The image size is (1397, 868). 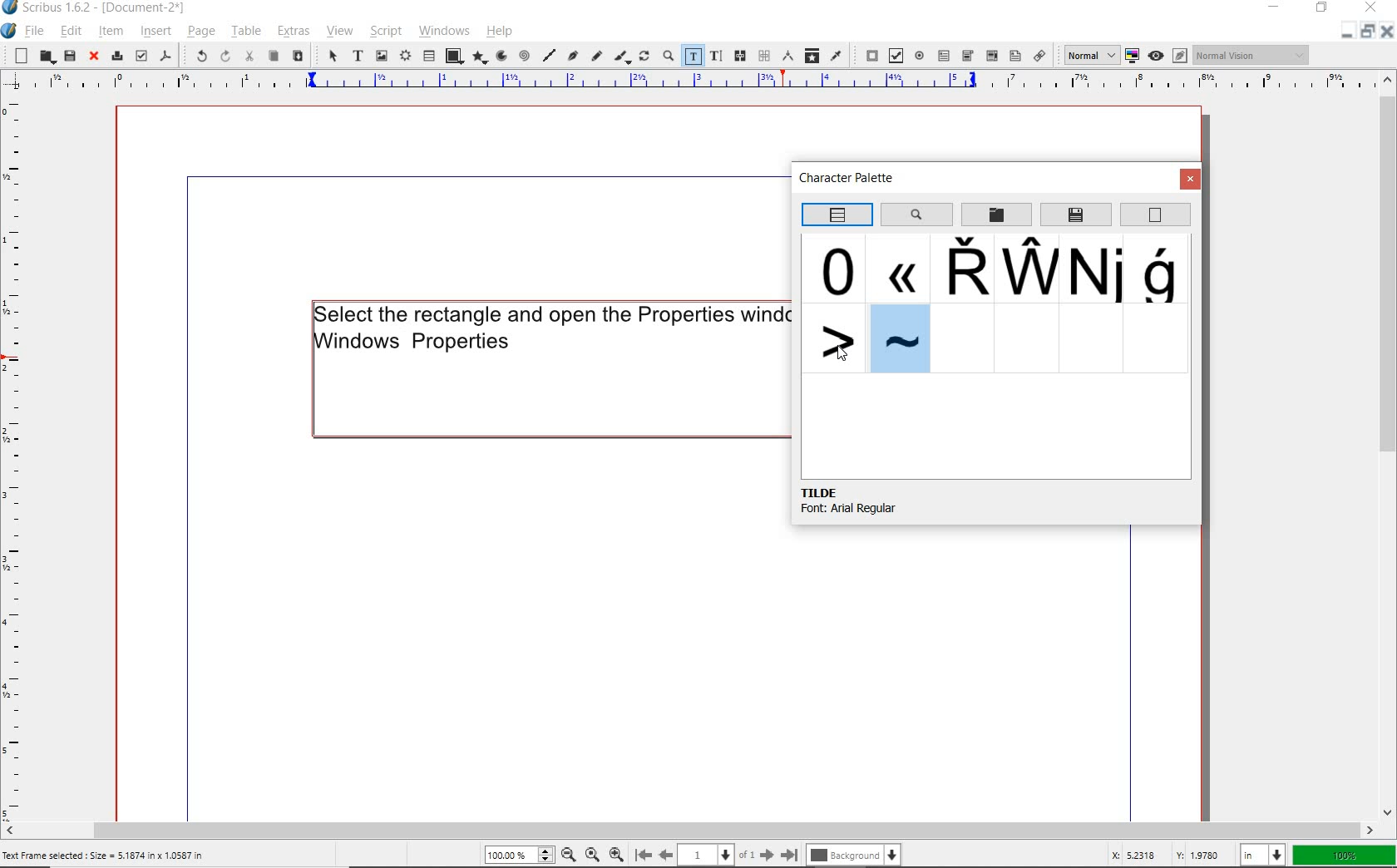 I want to click on render frame, so click(x=404, y=57).